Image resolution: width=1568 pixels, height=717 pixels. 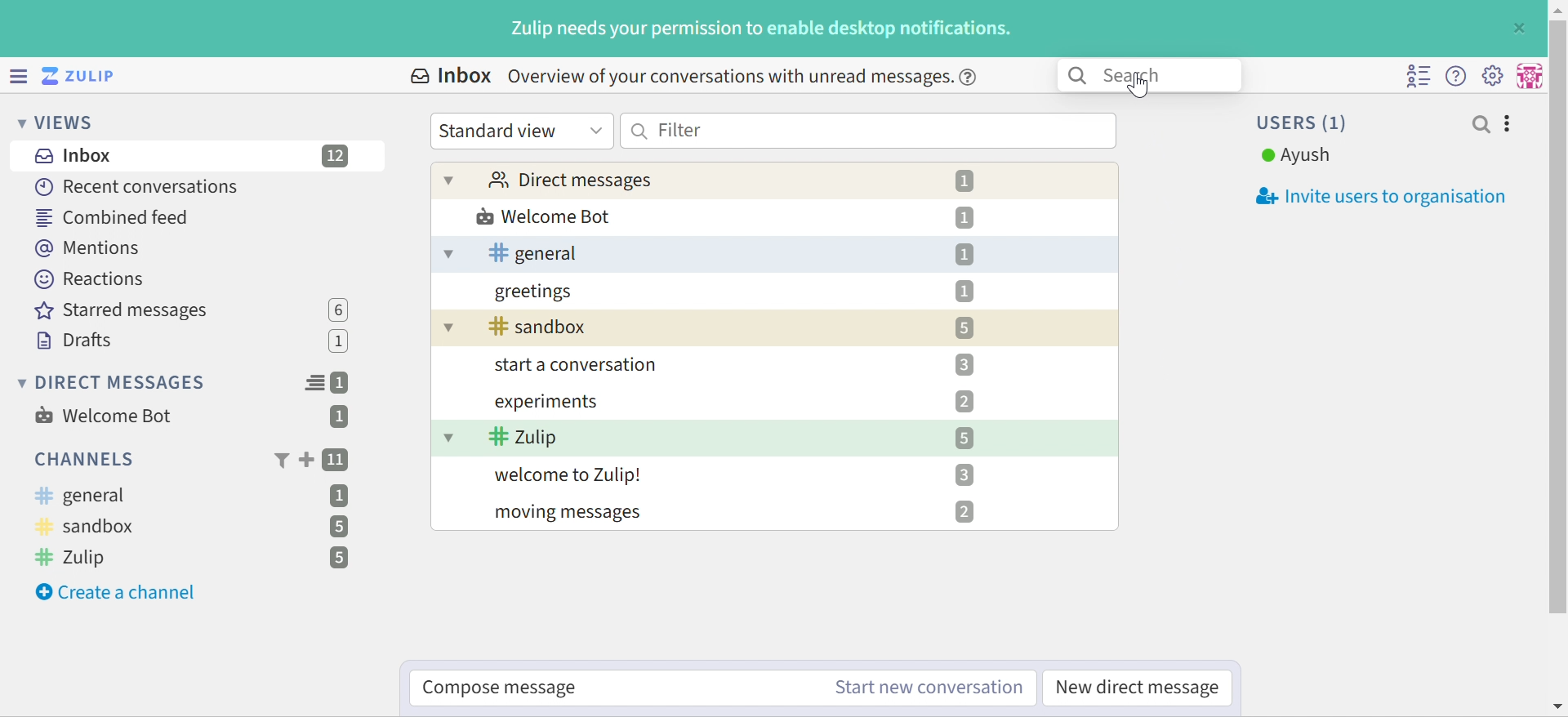 I want to click on drop down, so click(x=447, y=327).